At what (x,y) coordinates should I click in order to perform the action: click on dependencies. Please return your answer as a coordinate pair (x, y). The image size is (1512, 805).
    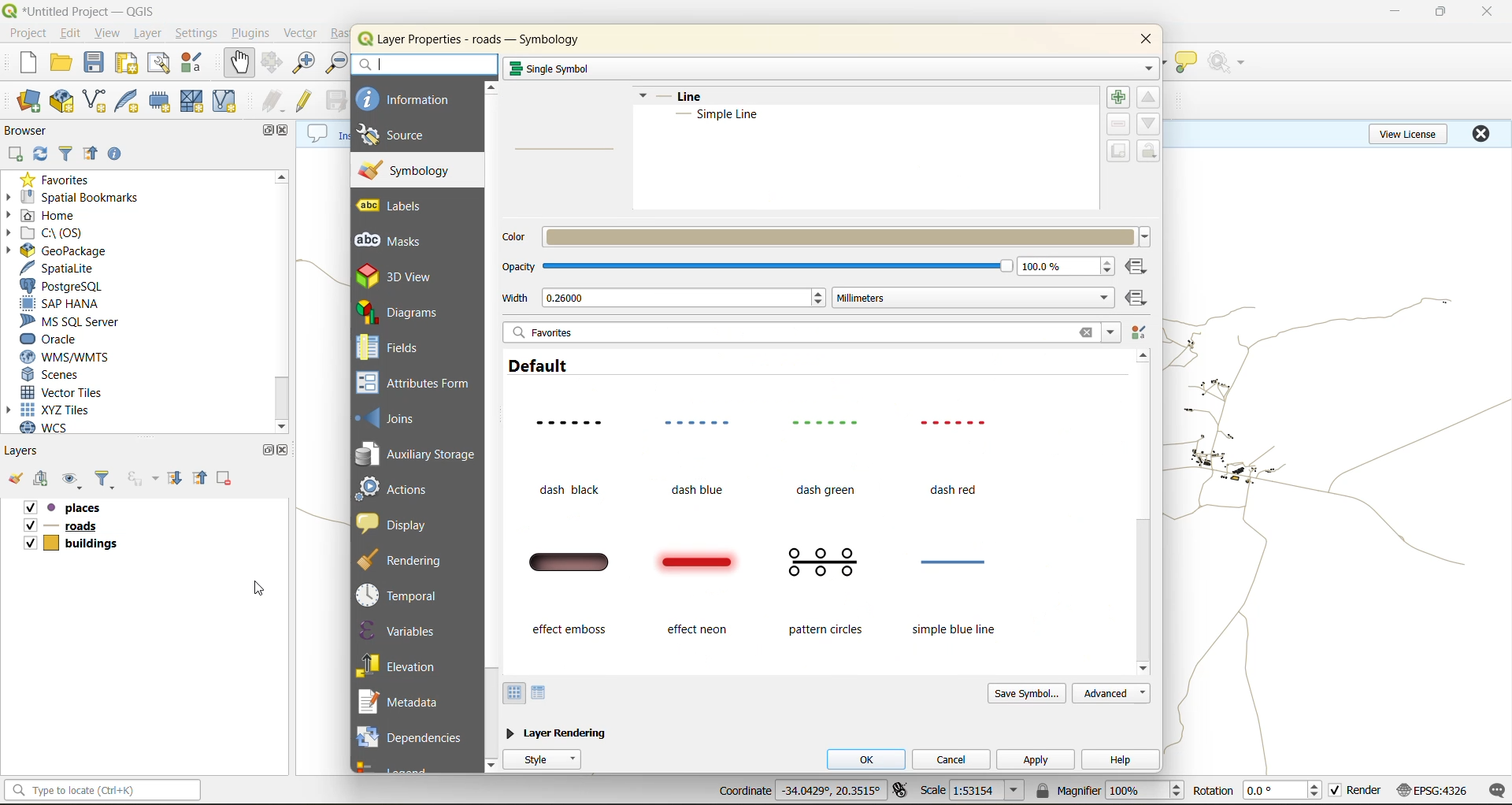
    Looking at the image, I should click on (417, 735).